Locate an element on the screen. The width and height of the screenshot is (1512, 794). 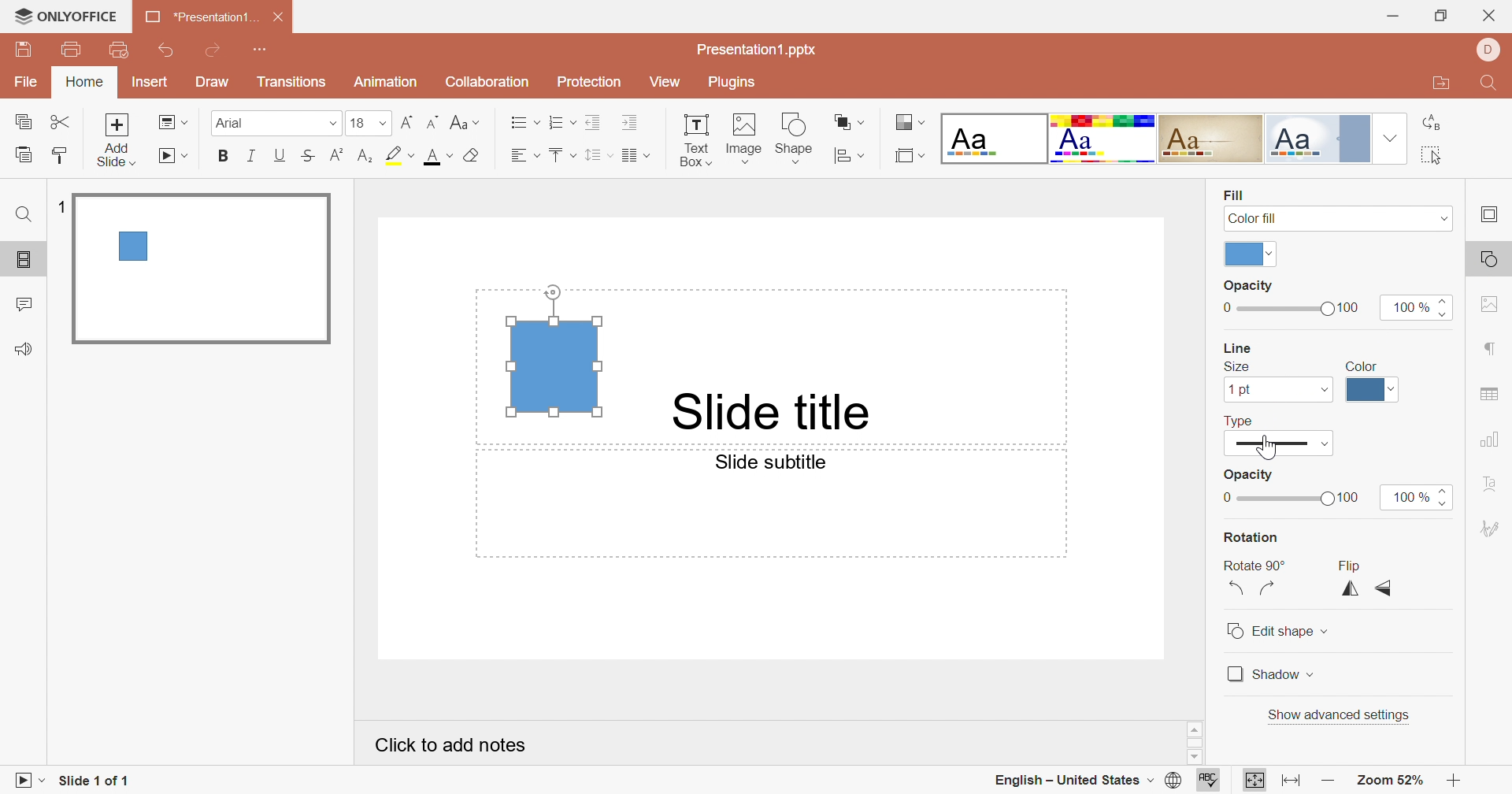
 is located at coordinates (1224, 308).